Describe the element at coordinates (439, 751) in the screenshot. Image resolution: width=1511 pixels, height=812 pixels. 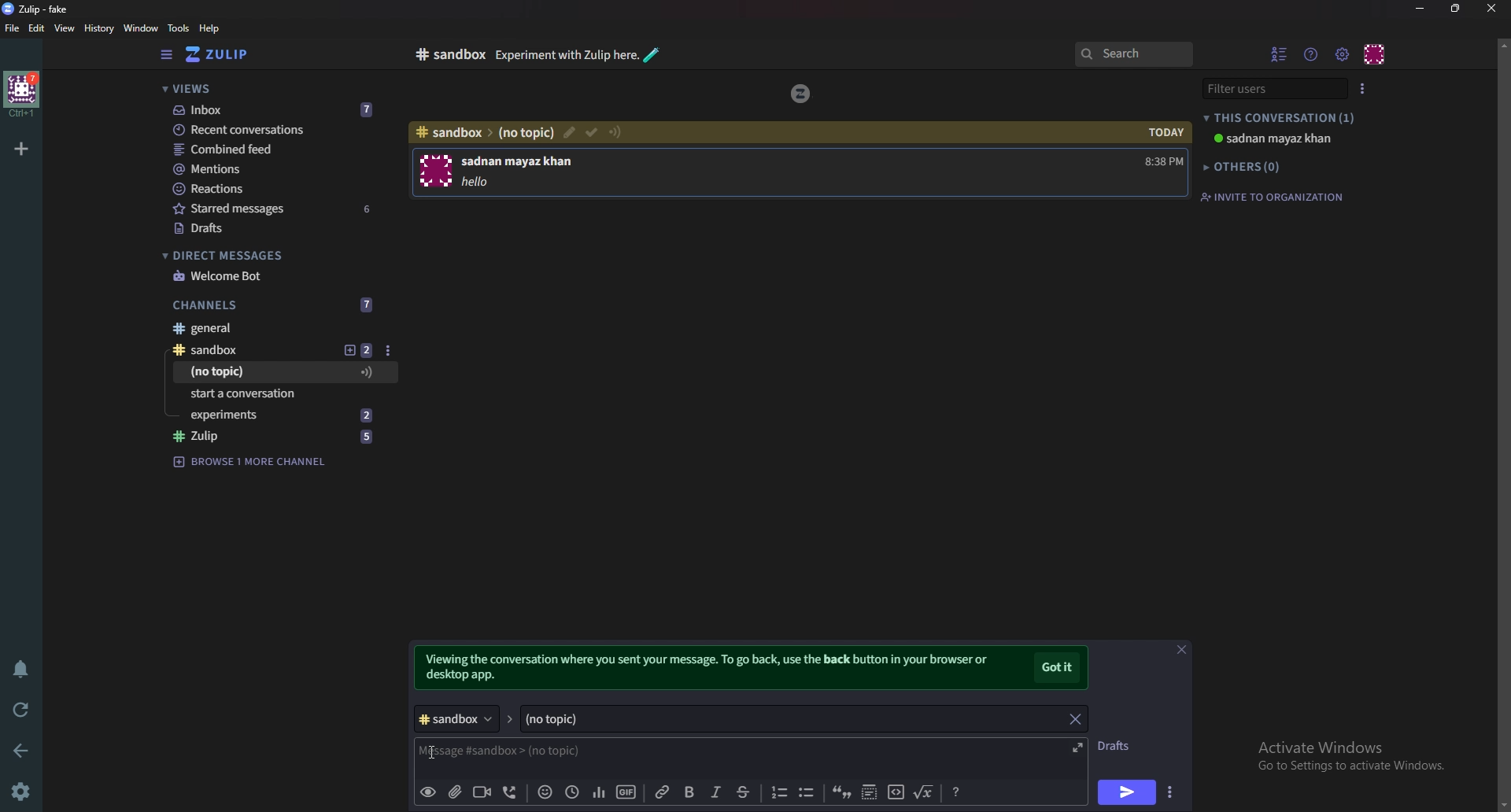
I see `cursor` at that location.